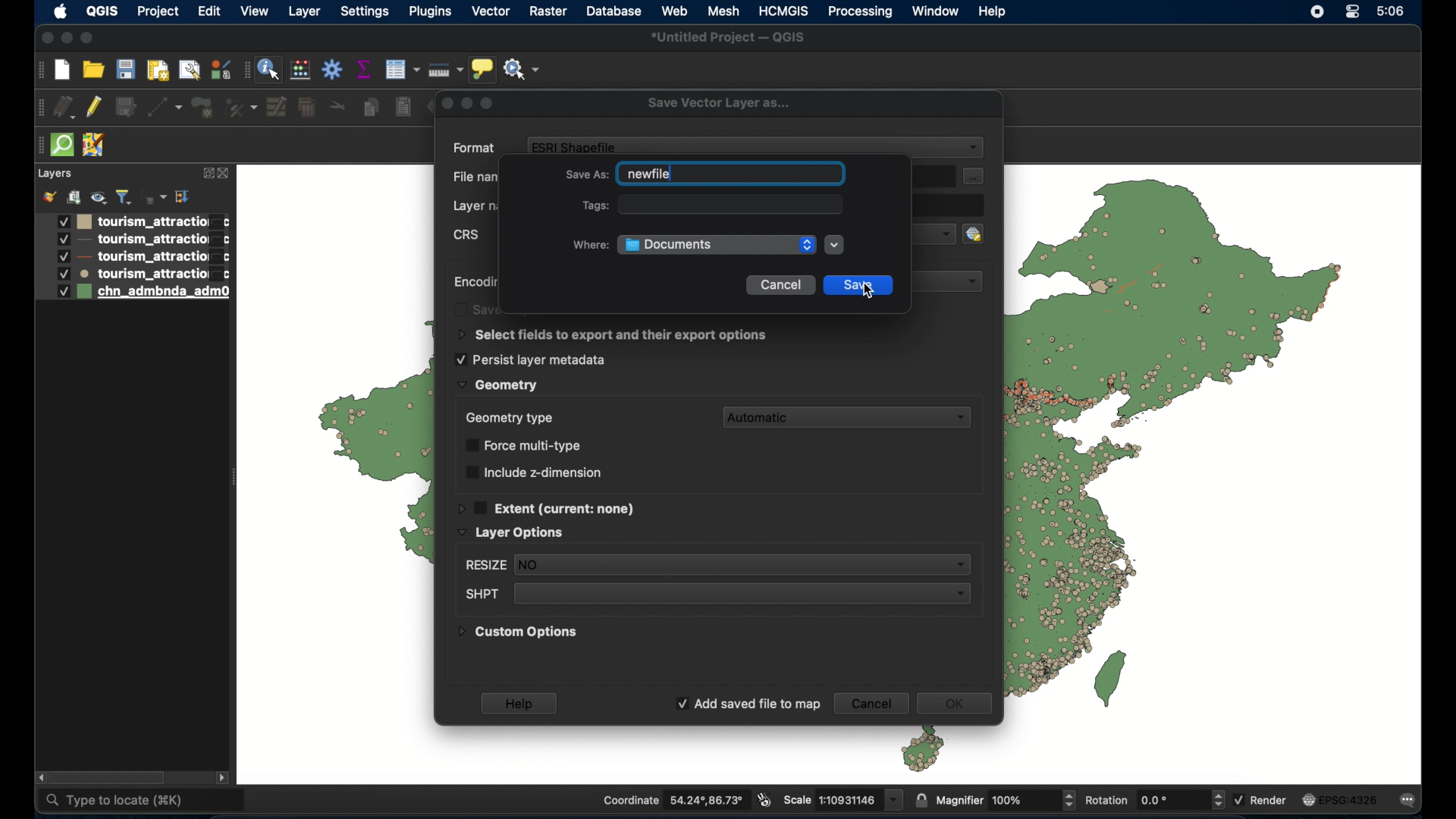  Describe the element at coordinates (497, 385) in the screenshot. I see `geometry ` at that location.